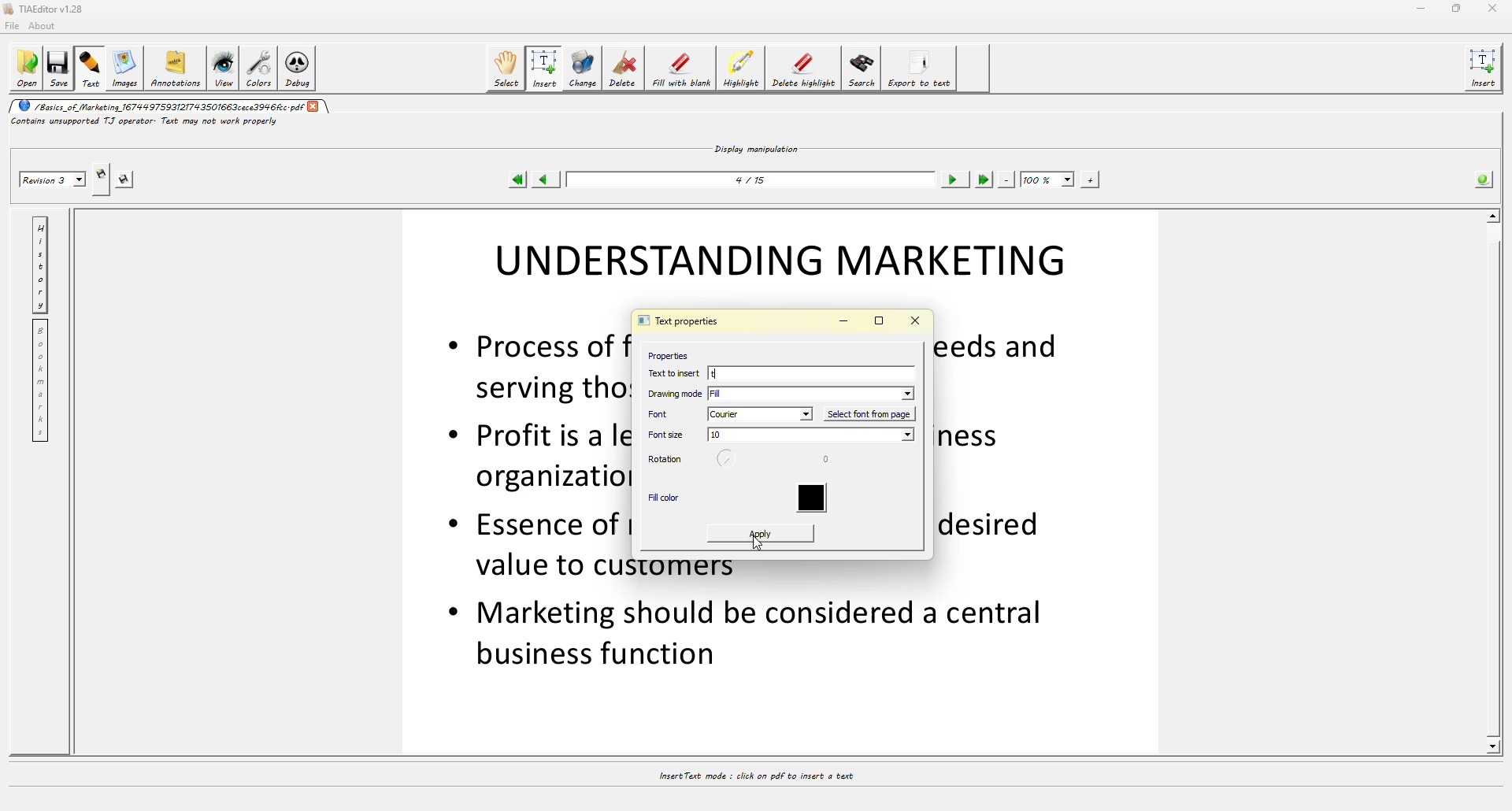 The image size is (1512, 811). I want to click on contains unsupported TJ operator text may not work properly, so click(146, 124).